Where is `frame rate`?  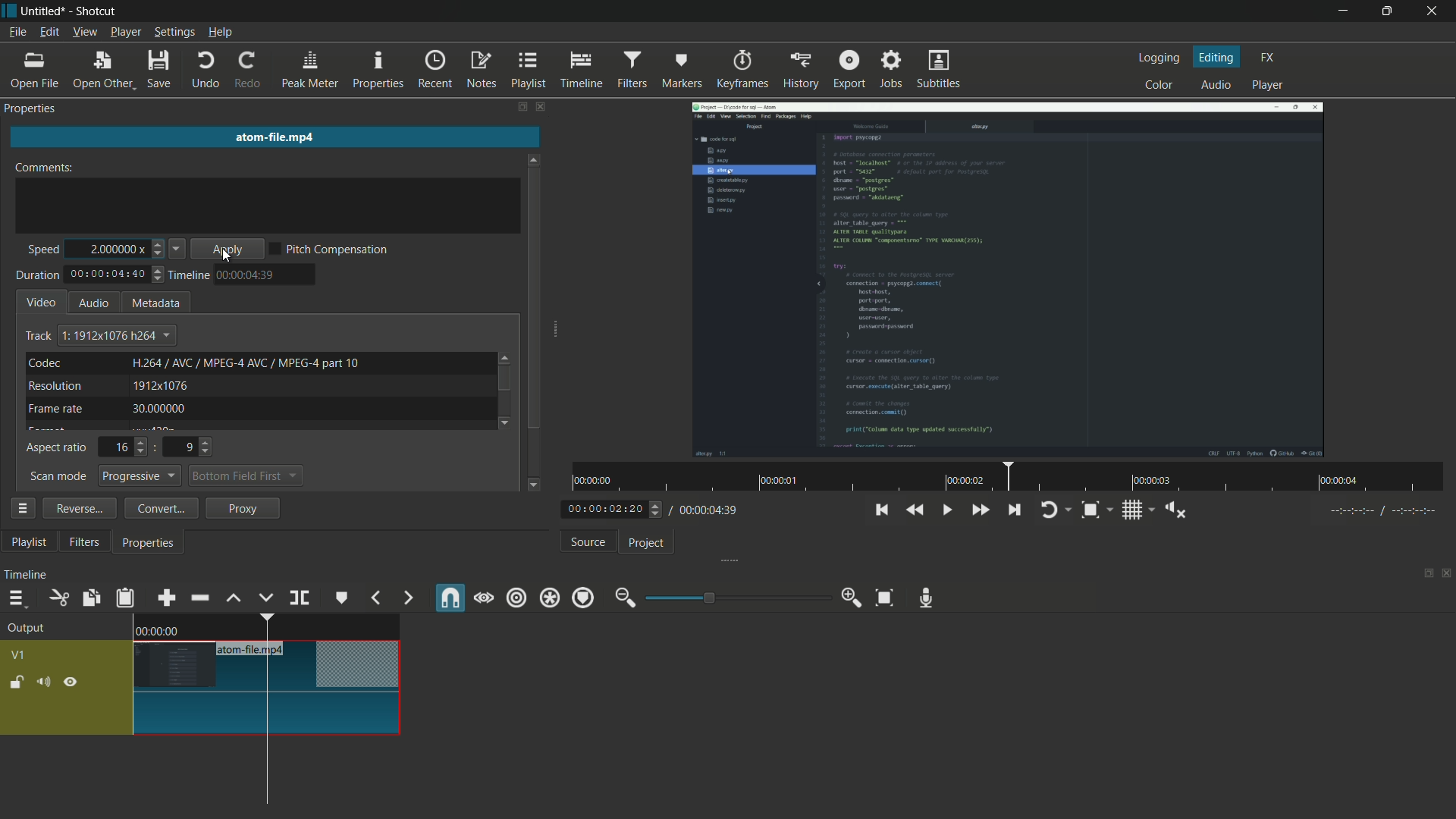 frame rate is located at coordinates (55, 409).